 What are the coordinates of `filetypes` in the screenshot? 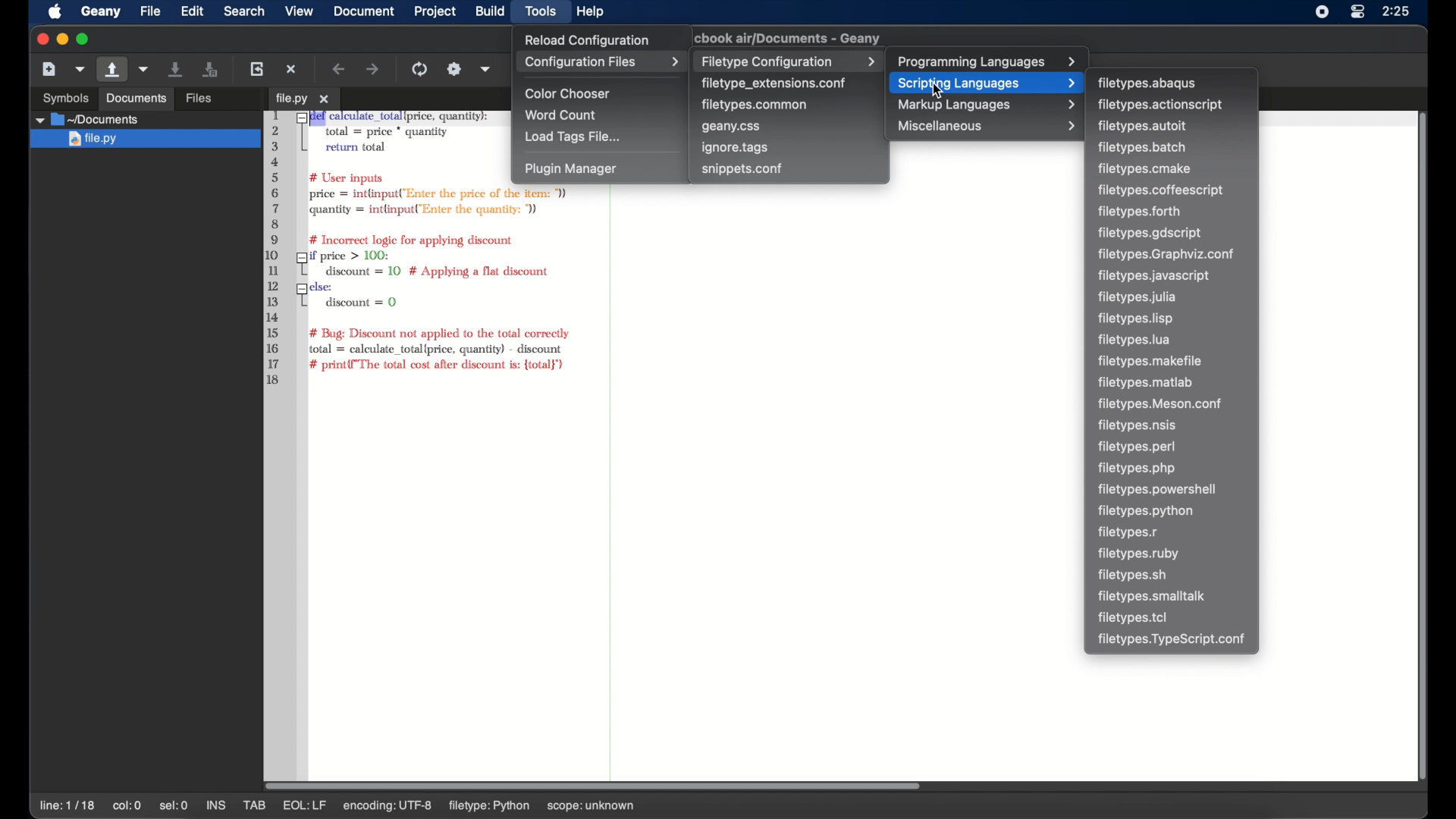 It's located at (1132, 576).